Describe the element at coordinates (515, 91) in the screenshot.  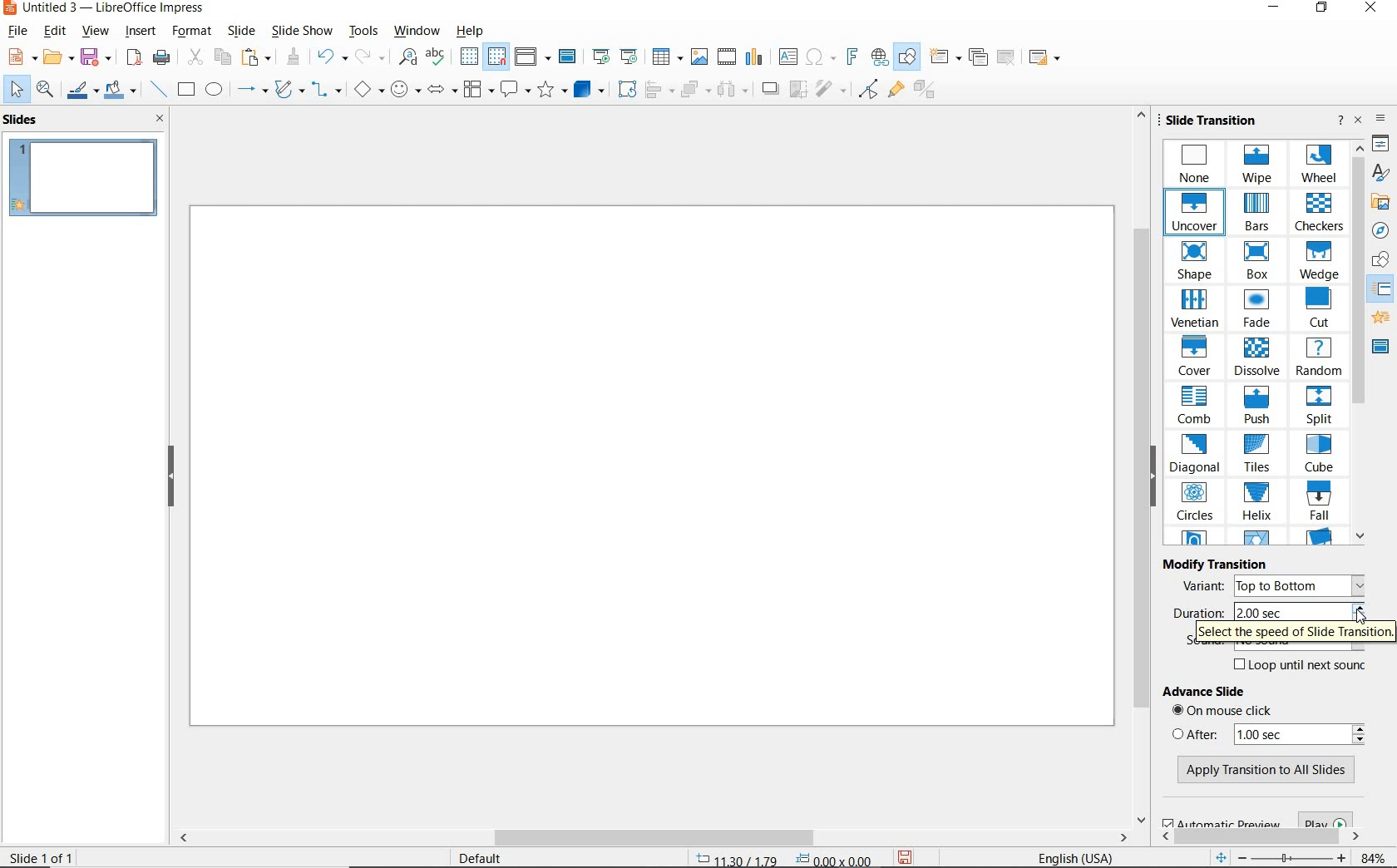
I see `CALLOUT SHAPES` at that location.